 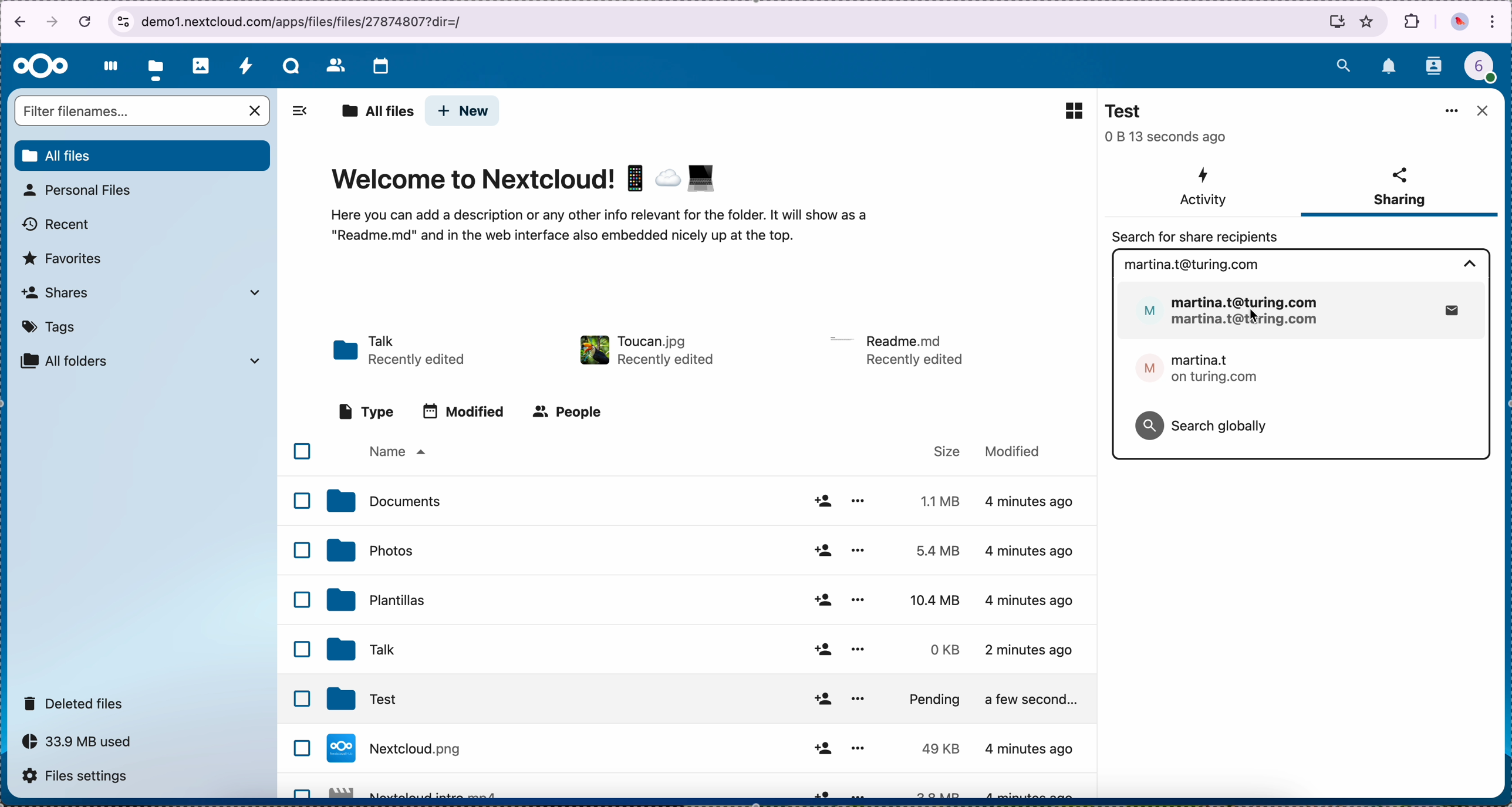 I want to click on profile, so click(x=1487, y=70).